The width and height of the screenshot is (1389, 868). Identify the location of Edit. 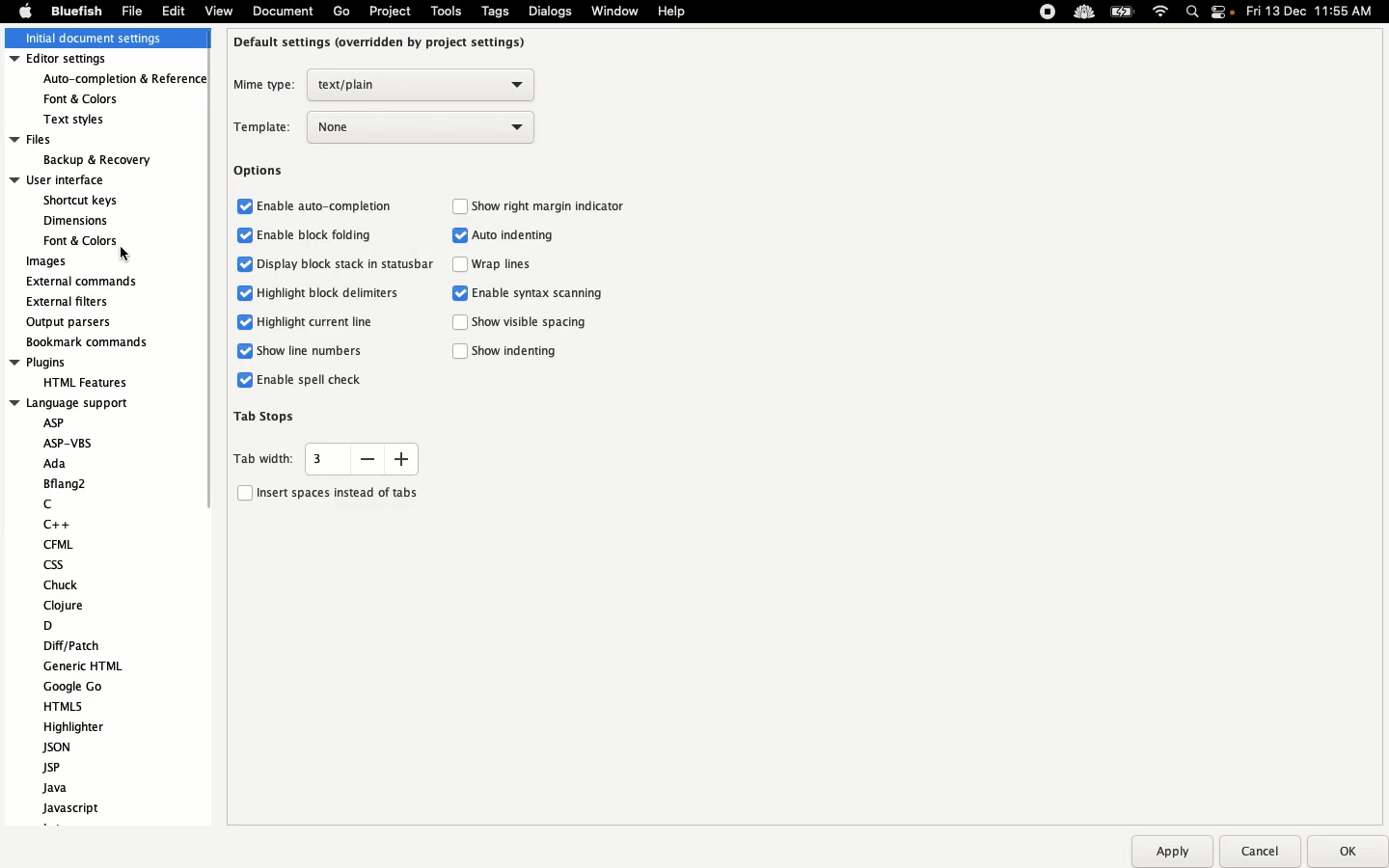
(174, 11).